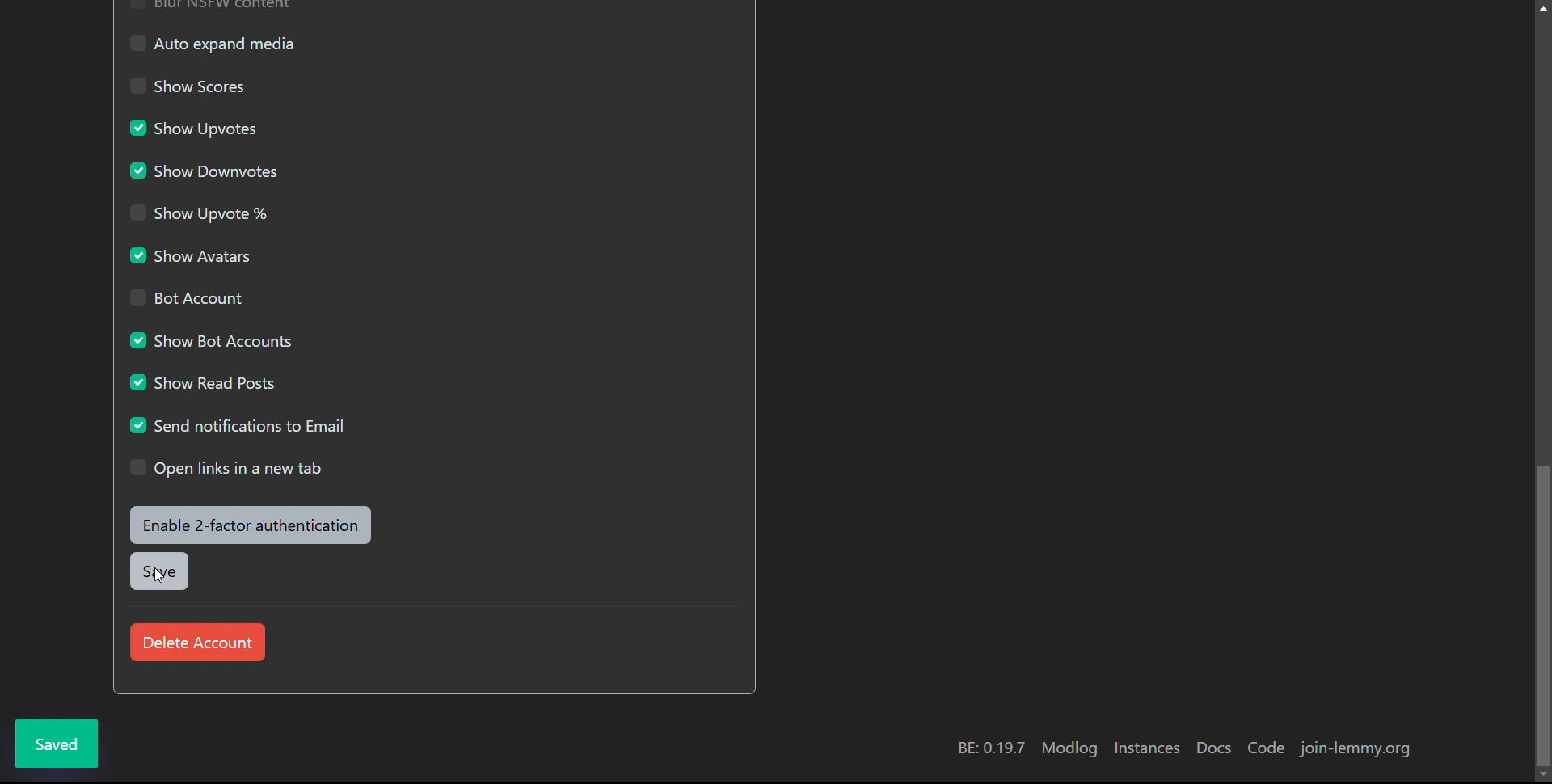 This screenshot has width=1552, height=784. Describe the element at coordinates (211, 6) in the screenshot. I see `Blur NSFW content` at that location.